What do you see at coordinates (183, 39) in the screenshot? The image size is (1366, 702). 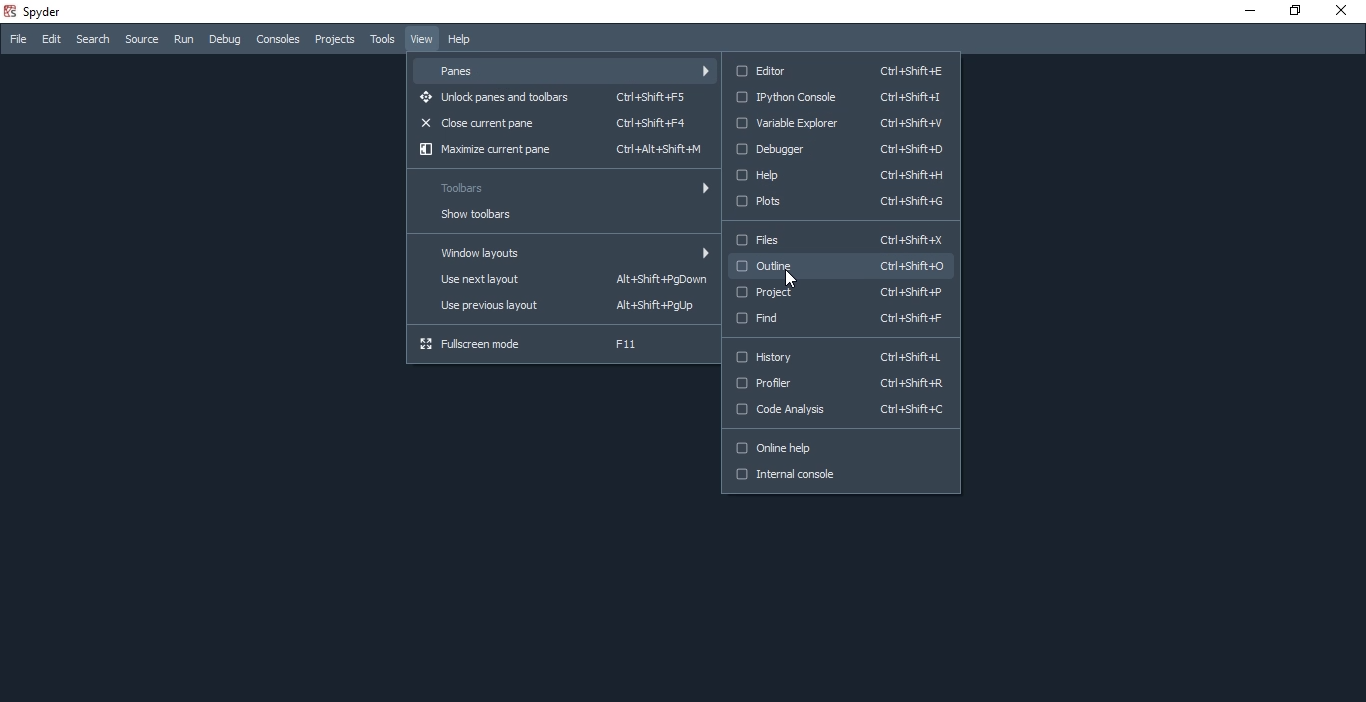 I see `Run` at bounding box center [183, 39].